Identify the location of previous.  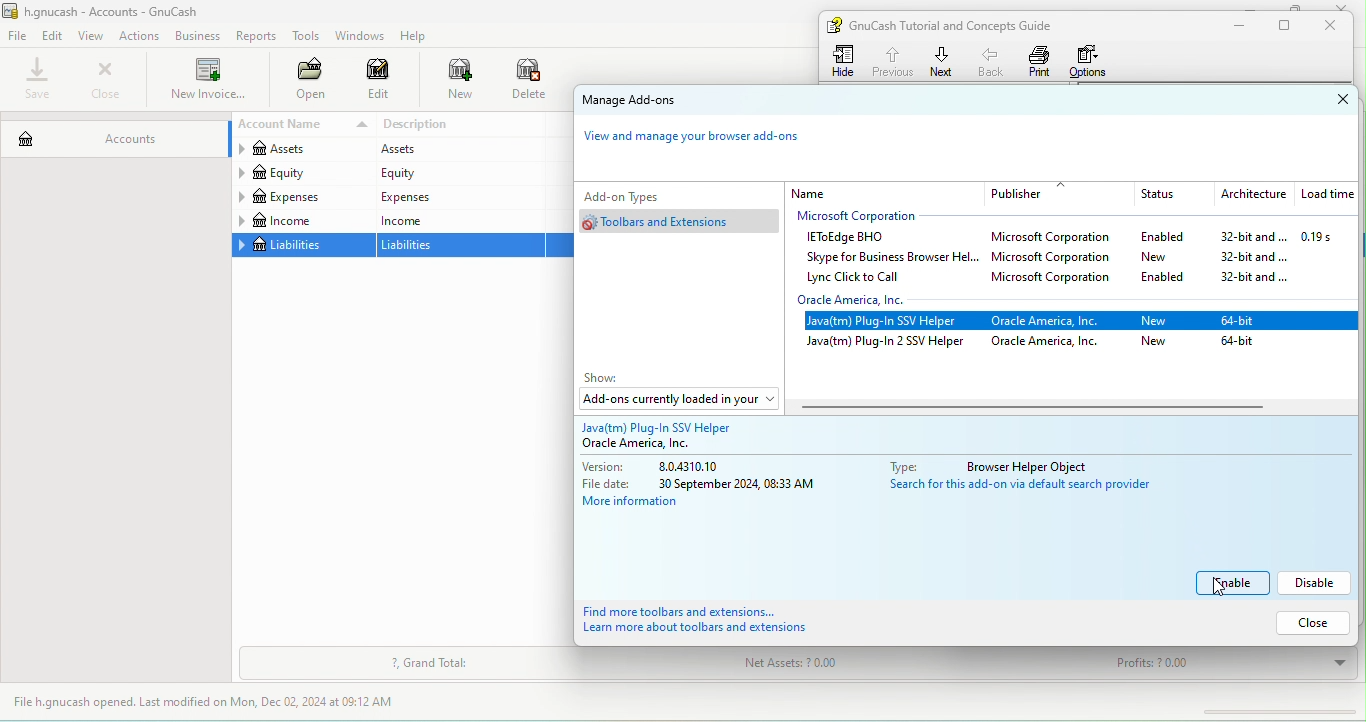
(891, 59).